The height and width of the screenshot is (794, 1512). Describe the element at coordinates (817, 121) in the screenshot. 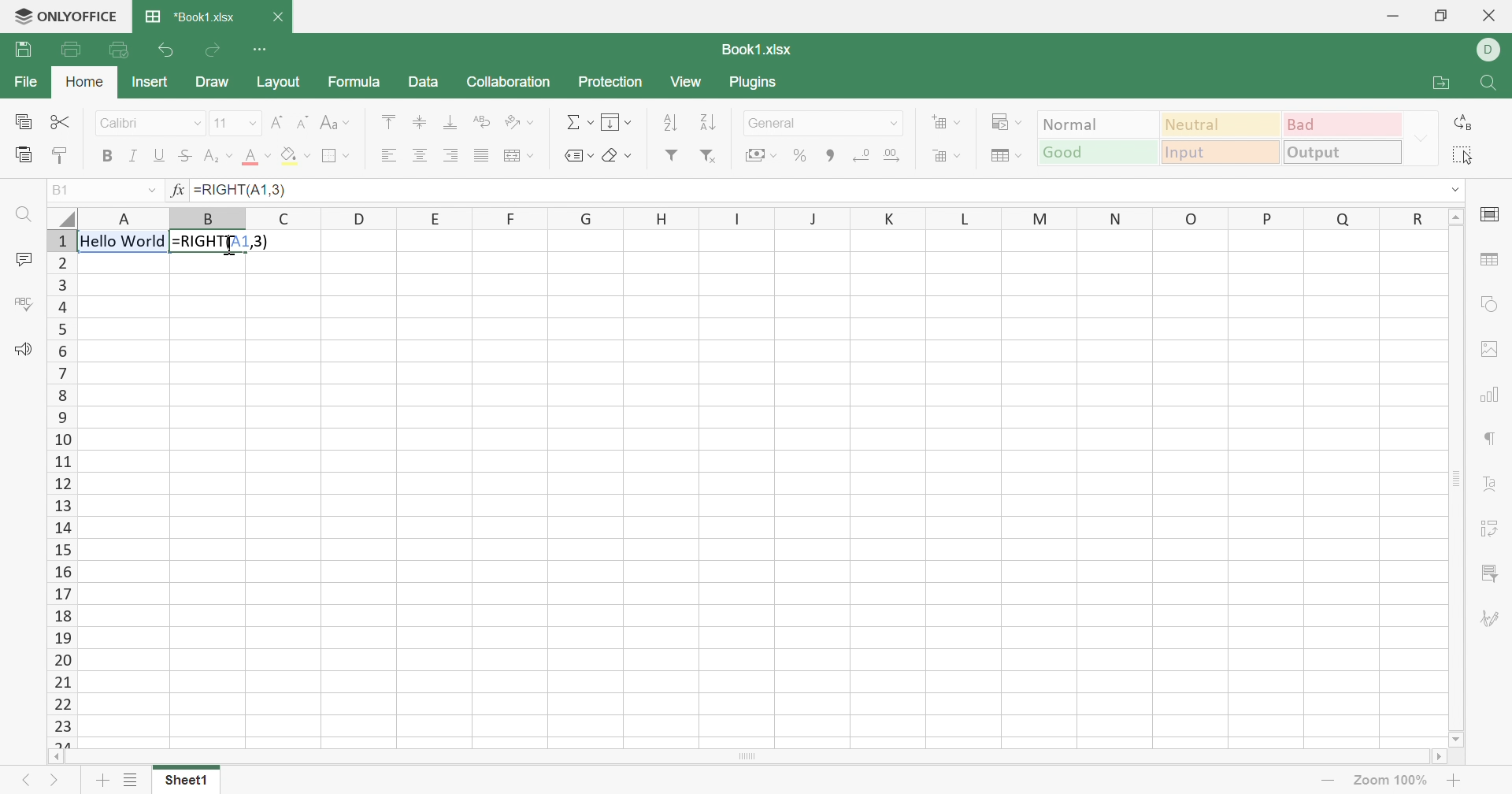

I see `Number format` at that location.